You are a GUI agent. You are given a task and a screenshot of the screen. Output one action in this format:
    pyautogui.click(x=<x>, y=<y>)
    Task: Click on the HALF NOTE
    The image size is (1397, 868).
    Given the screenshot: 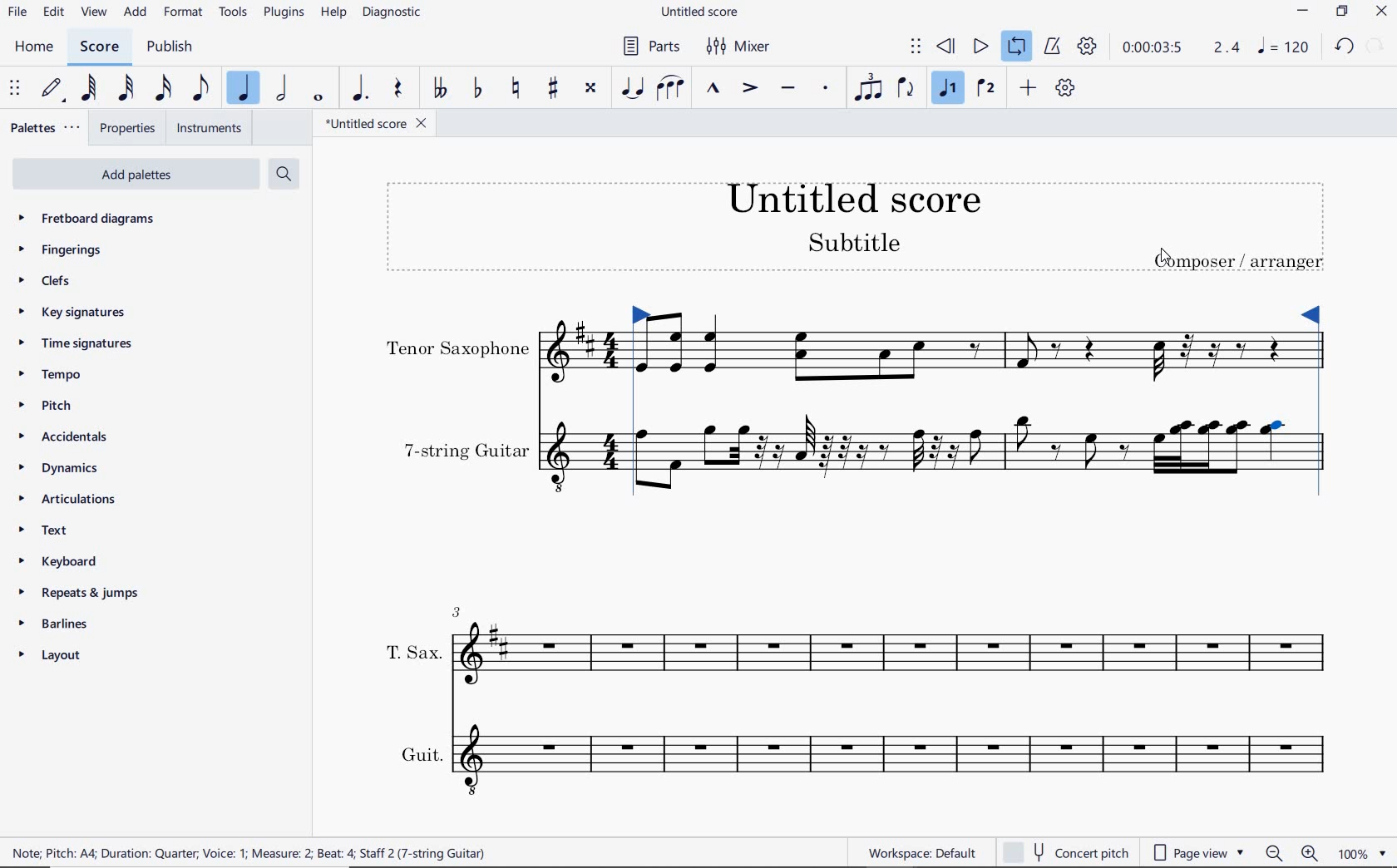 What is the action you would take?
    pyautogui.click(x=279, y=89)
    